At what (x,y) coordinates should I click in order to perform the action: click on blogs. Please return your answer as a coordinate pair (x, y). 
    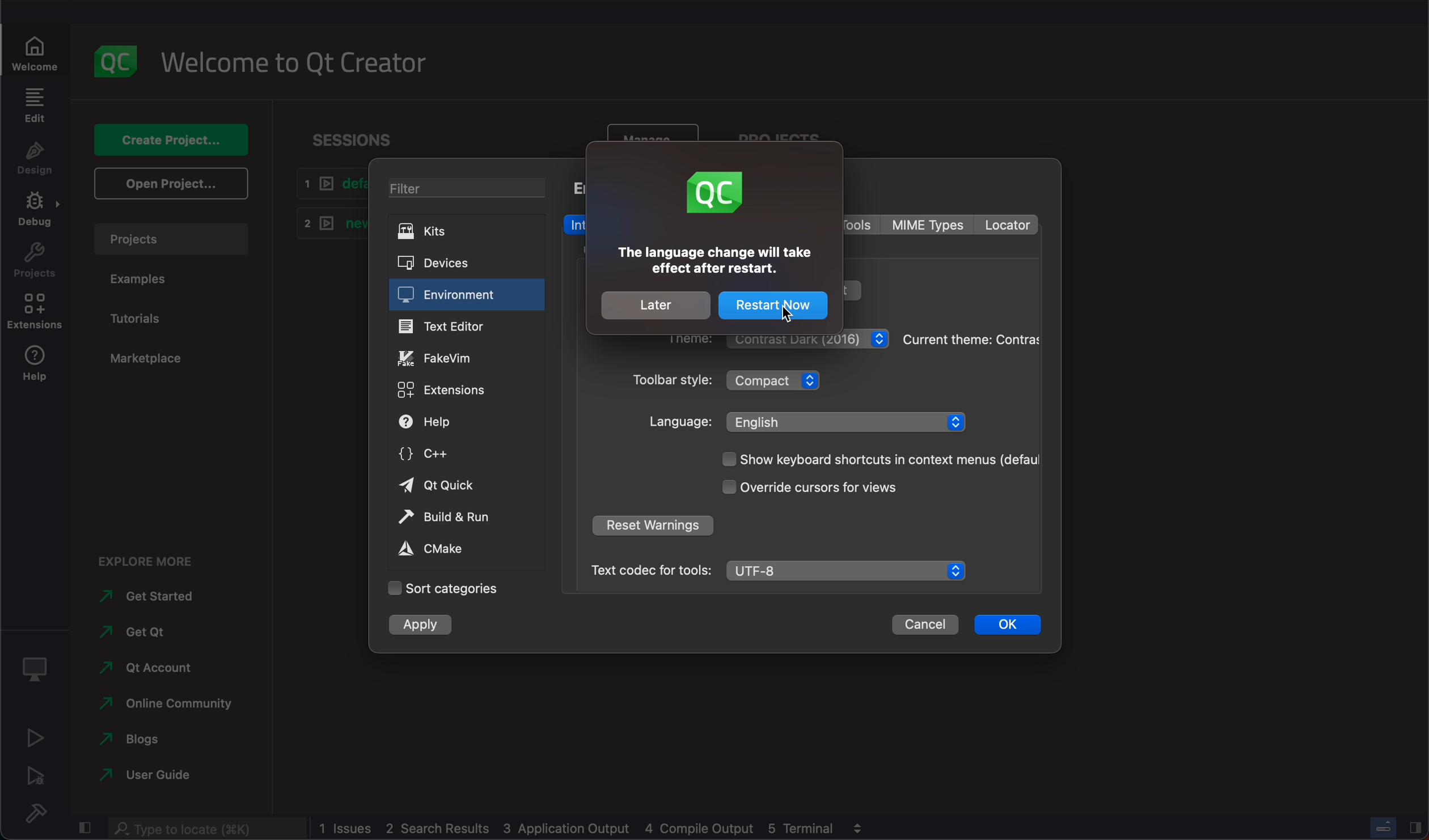
    Looking at the image, I should click on (147, 739).